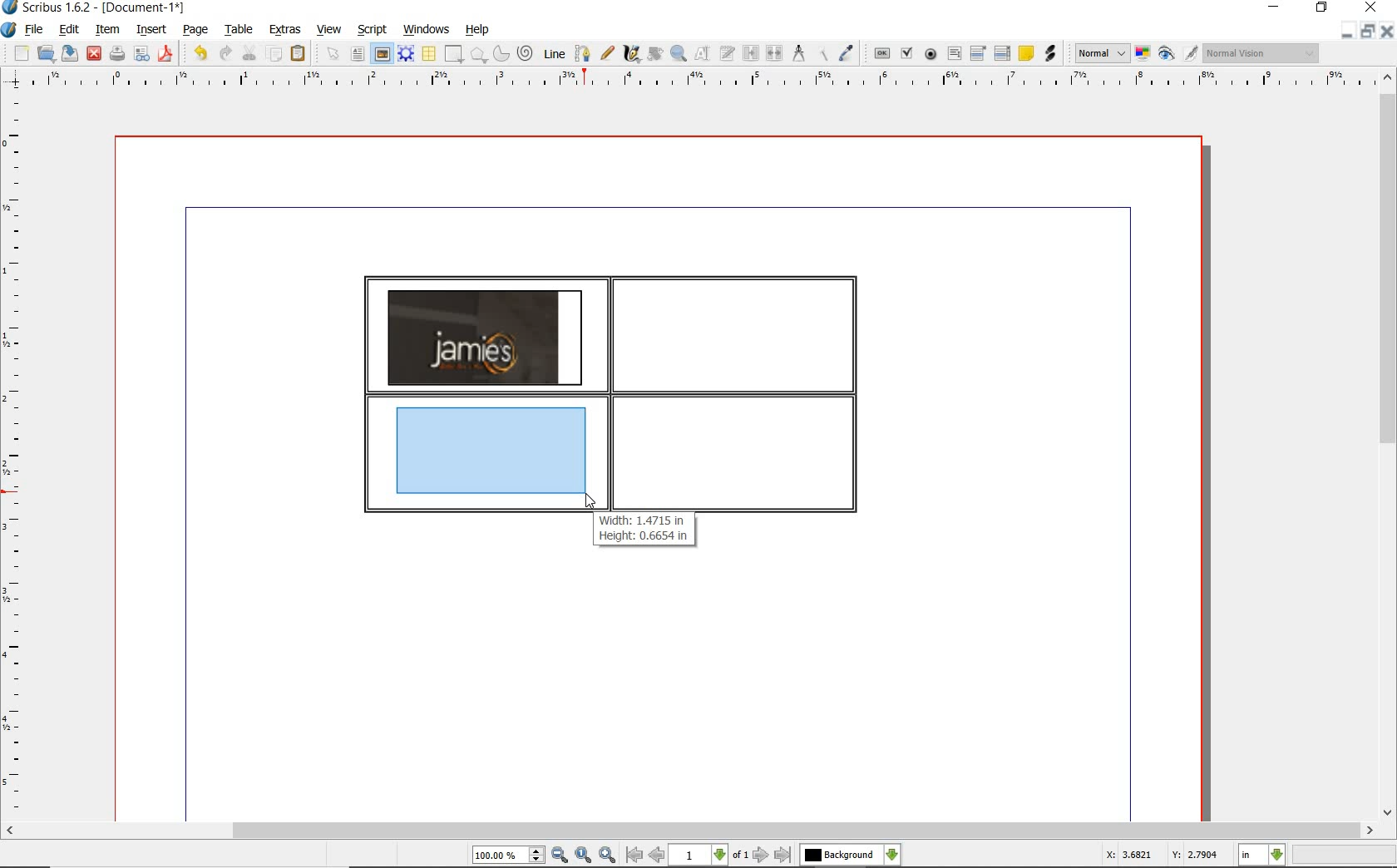  Describe the element at coordinates (583, 856) in the screenshot. I see `zoom to` at that location.